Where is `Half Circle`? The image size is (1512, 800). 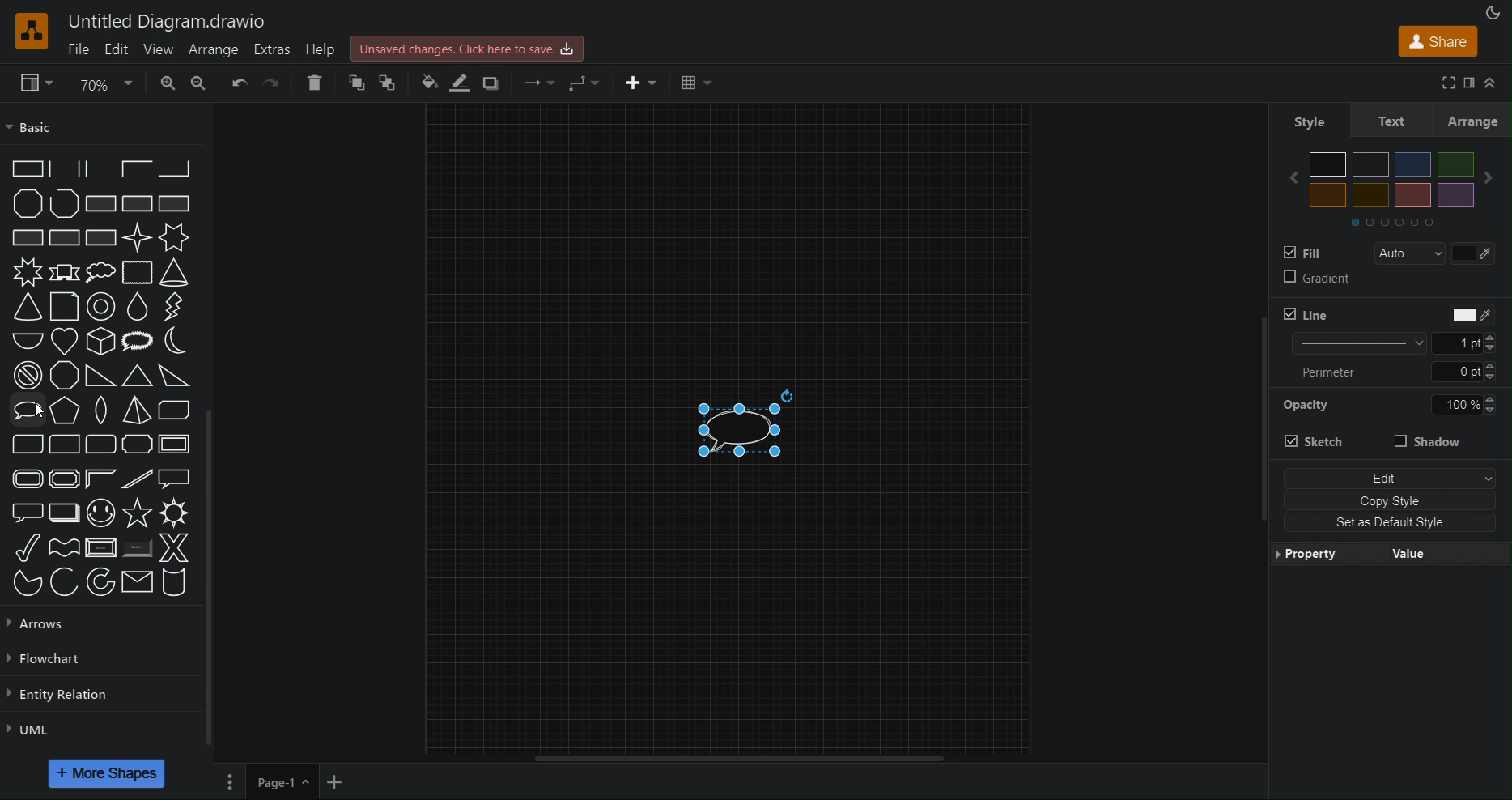
Half Circle is located at coordinates (27, 342).